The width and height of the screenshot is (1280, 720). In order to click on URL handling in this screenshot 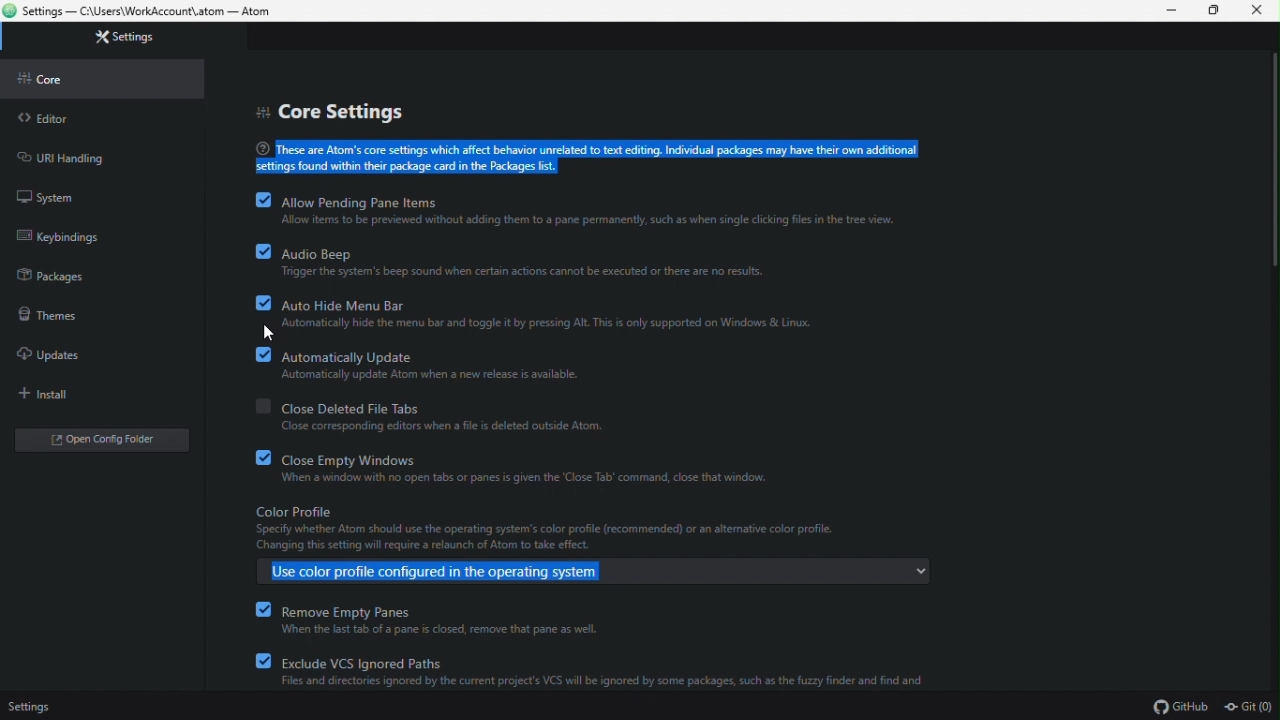, I will do `click(80, 159)`.